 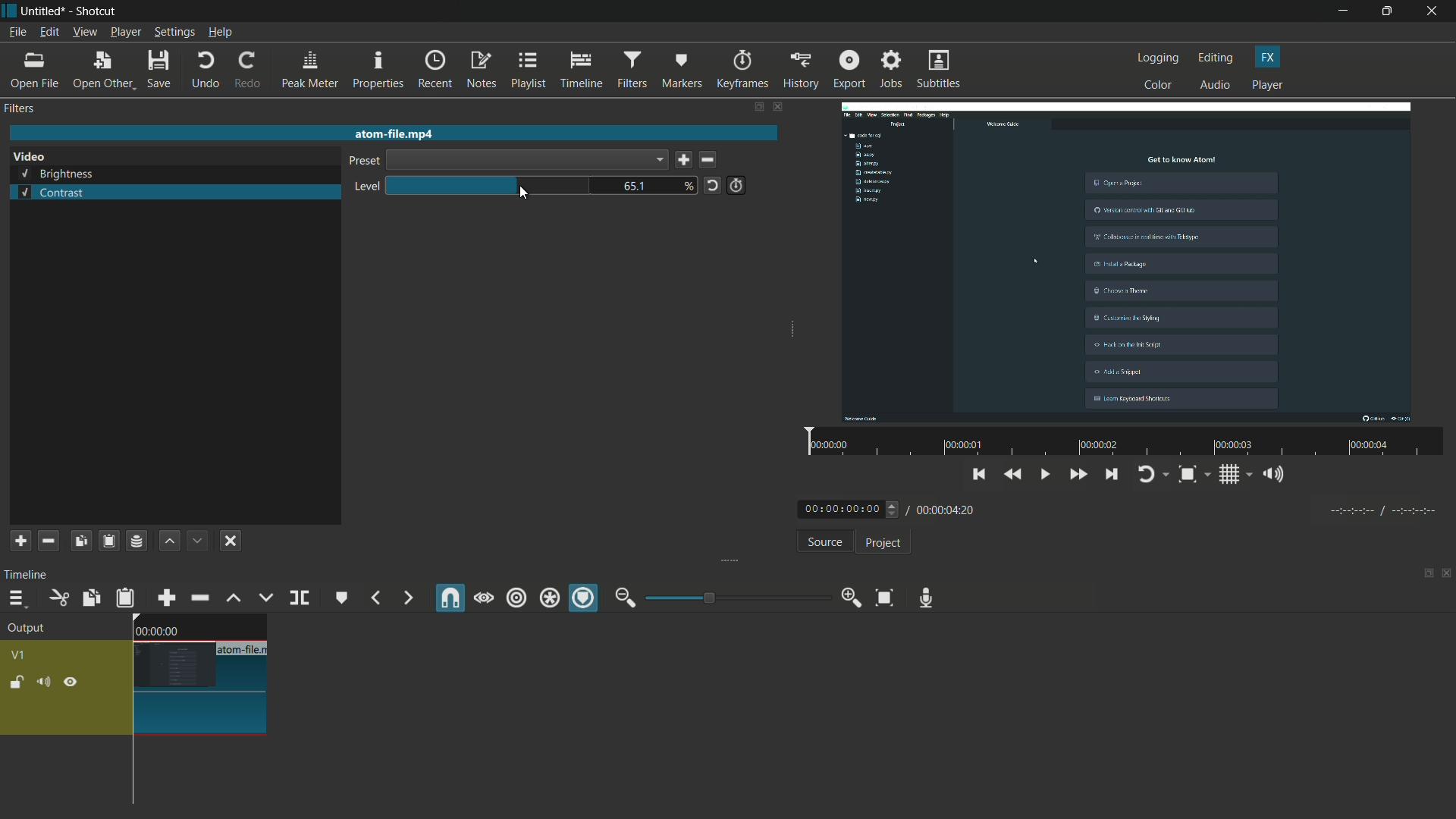 I want to click on undo, so click(x=205, y=70).